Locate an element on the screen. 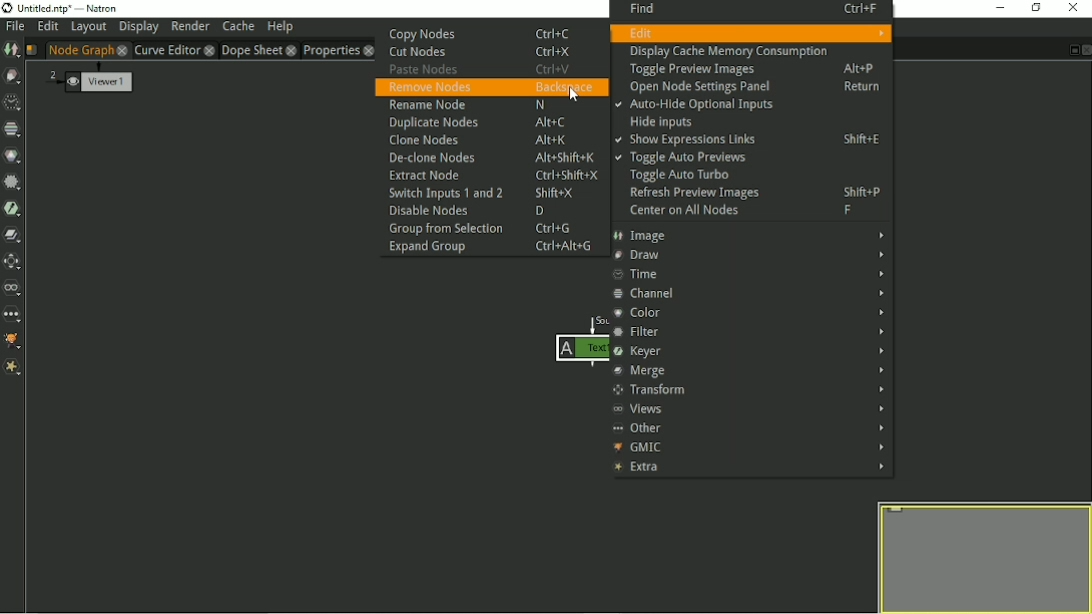 Image resolution: width=1092 pixels, height=614 pixels. Filter is located at coordinates (752, 330).